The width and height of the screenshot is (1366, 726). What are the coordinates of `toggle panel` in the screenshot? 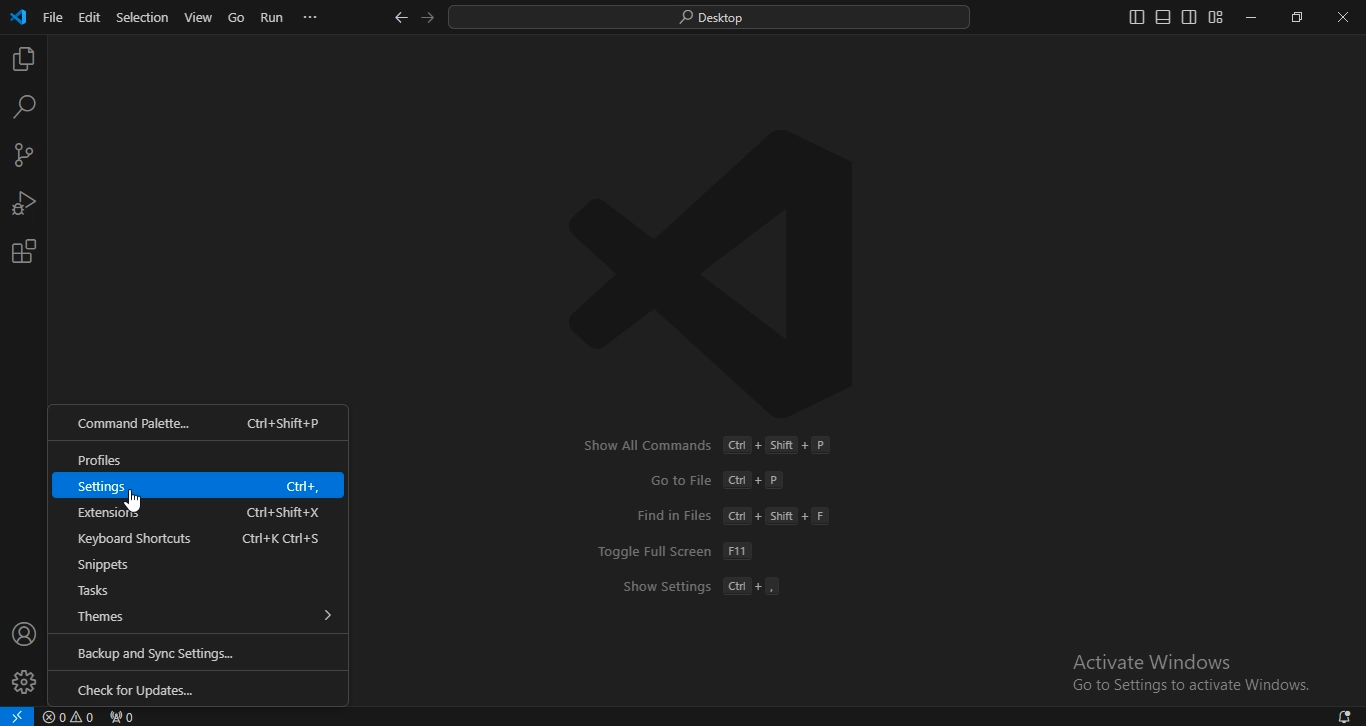 It's located at (1161, 16).